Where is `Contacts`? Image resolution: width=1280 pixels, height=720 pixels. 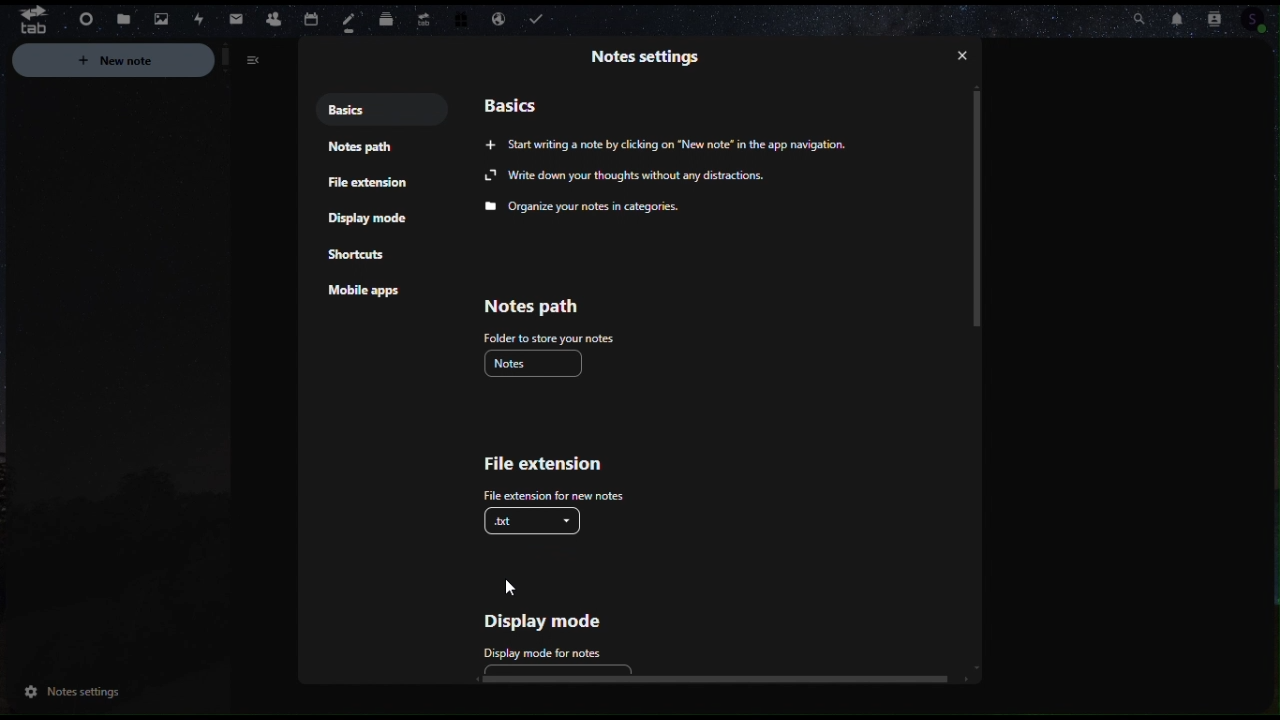 Contacts is located at coordinates (273, 17).